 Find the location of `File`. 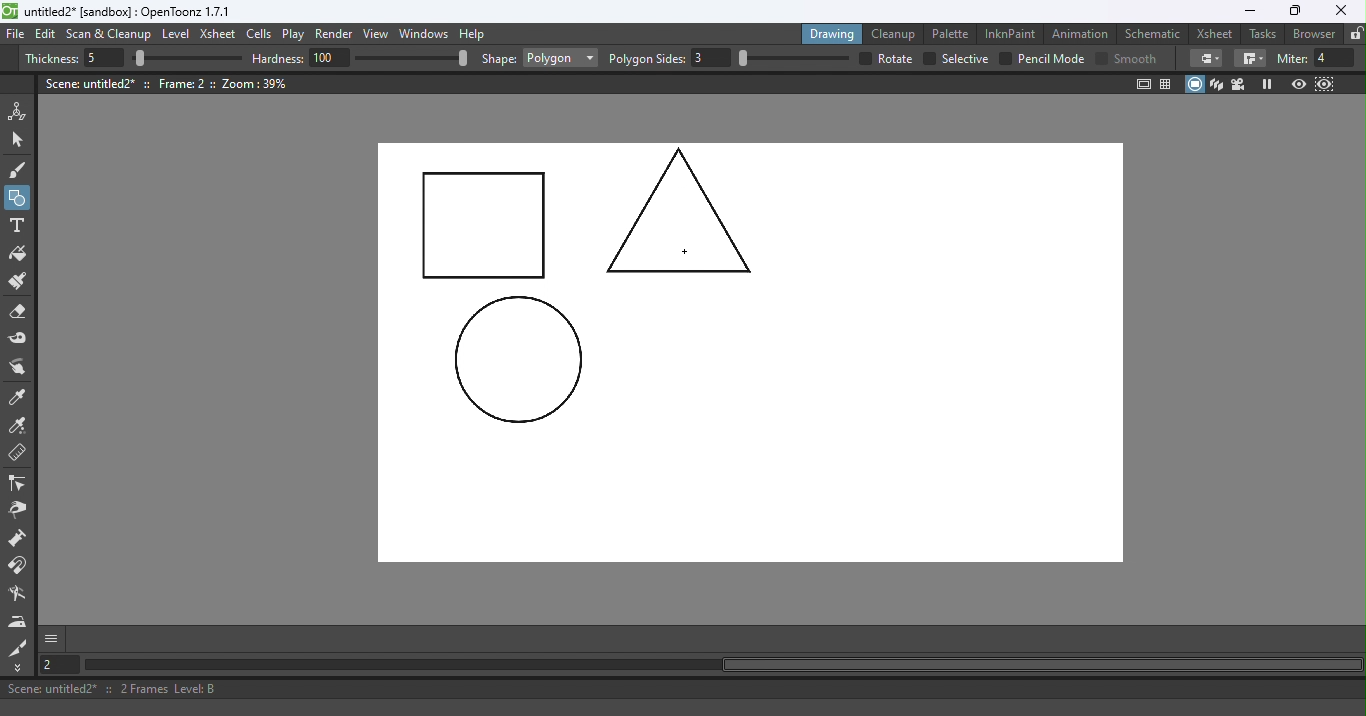

File is located at coordinates (16, 35).